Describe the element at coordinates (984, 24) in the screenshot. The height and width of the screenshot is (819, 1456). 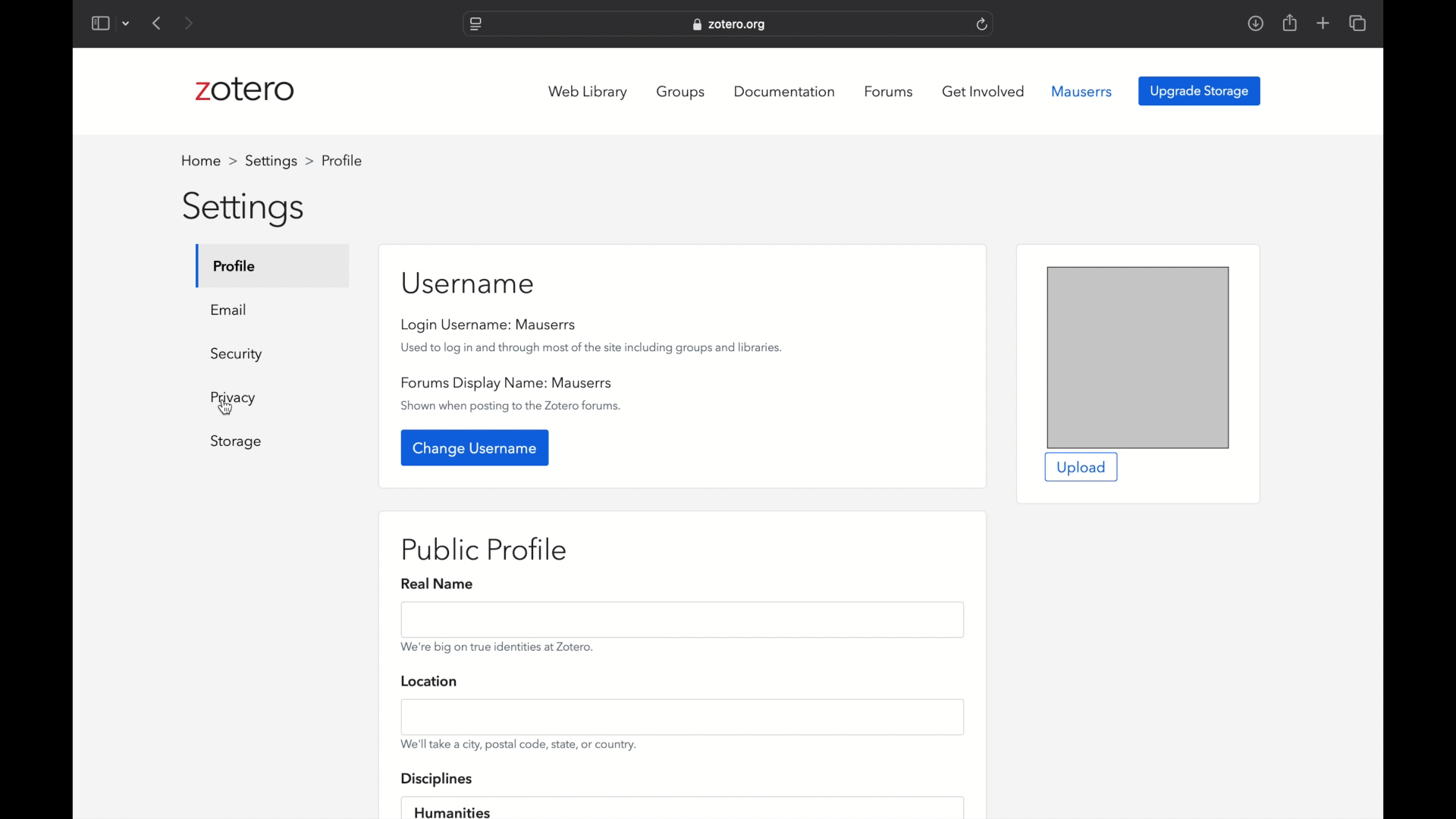
I see `refresh` at that location.